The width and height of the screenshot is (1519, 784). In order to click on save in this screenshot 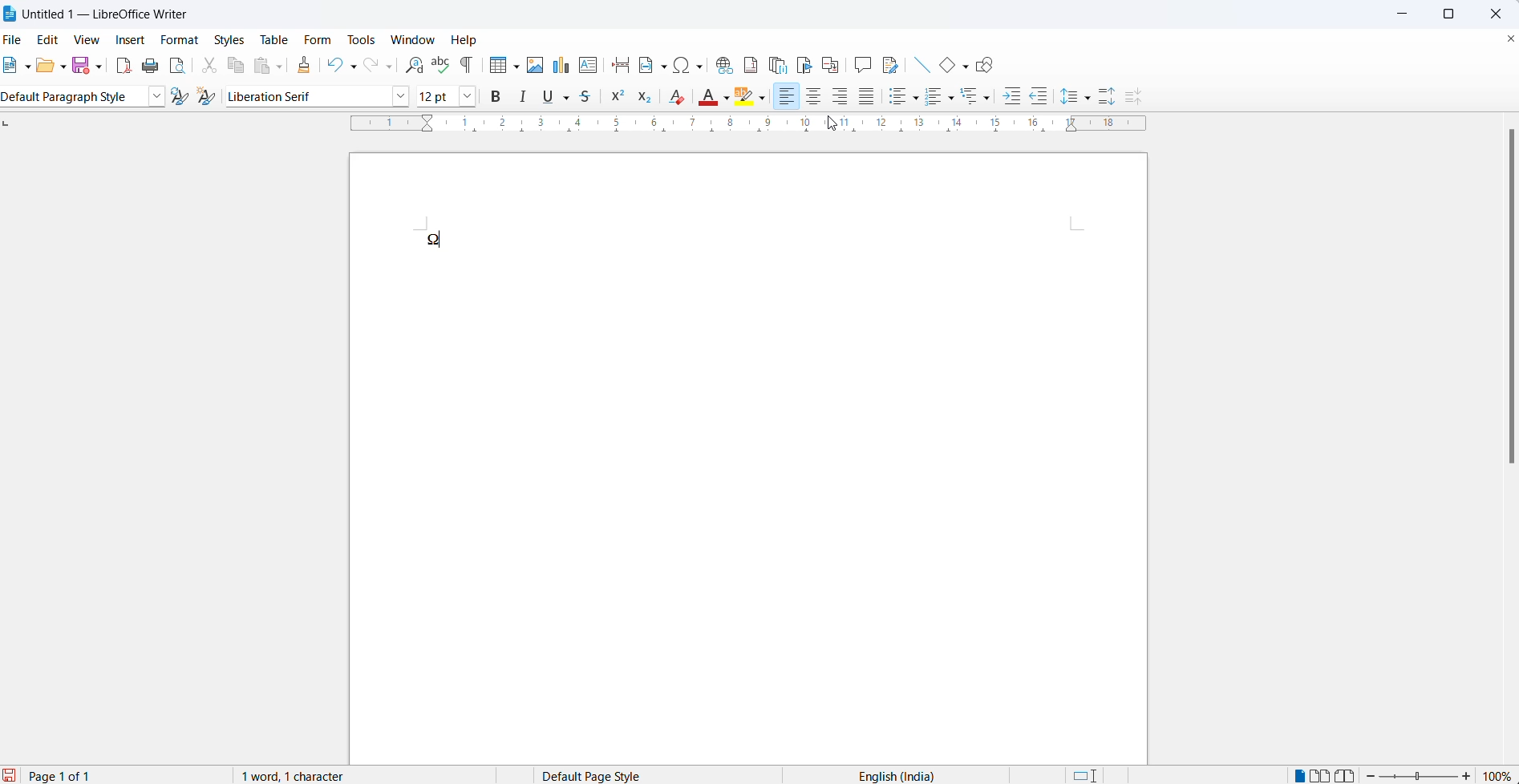, I will do `click(80, 65)`.